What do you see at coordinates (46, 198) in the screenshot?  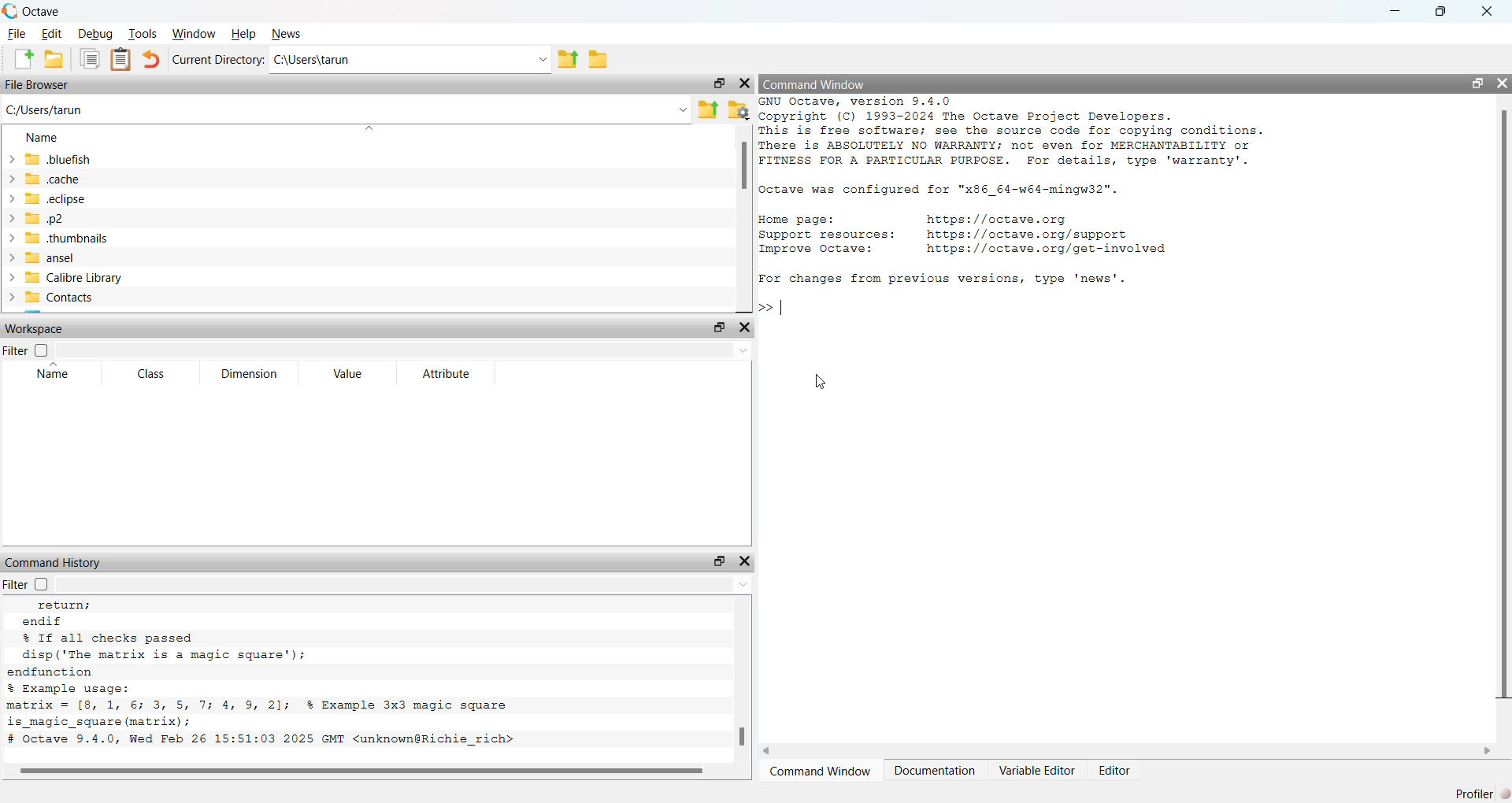 I see `.eclipse` at bounding box center [46, 198].